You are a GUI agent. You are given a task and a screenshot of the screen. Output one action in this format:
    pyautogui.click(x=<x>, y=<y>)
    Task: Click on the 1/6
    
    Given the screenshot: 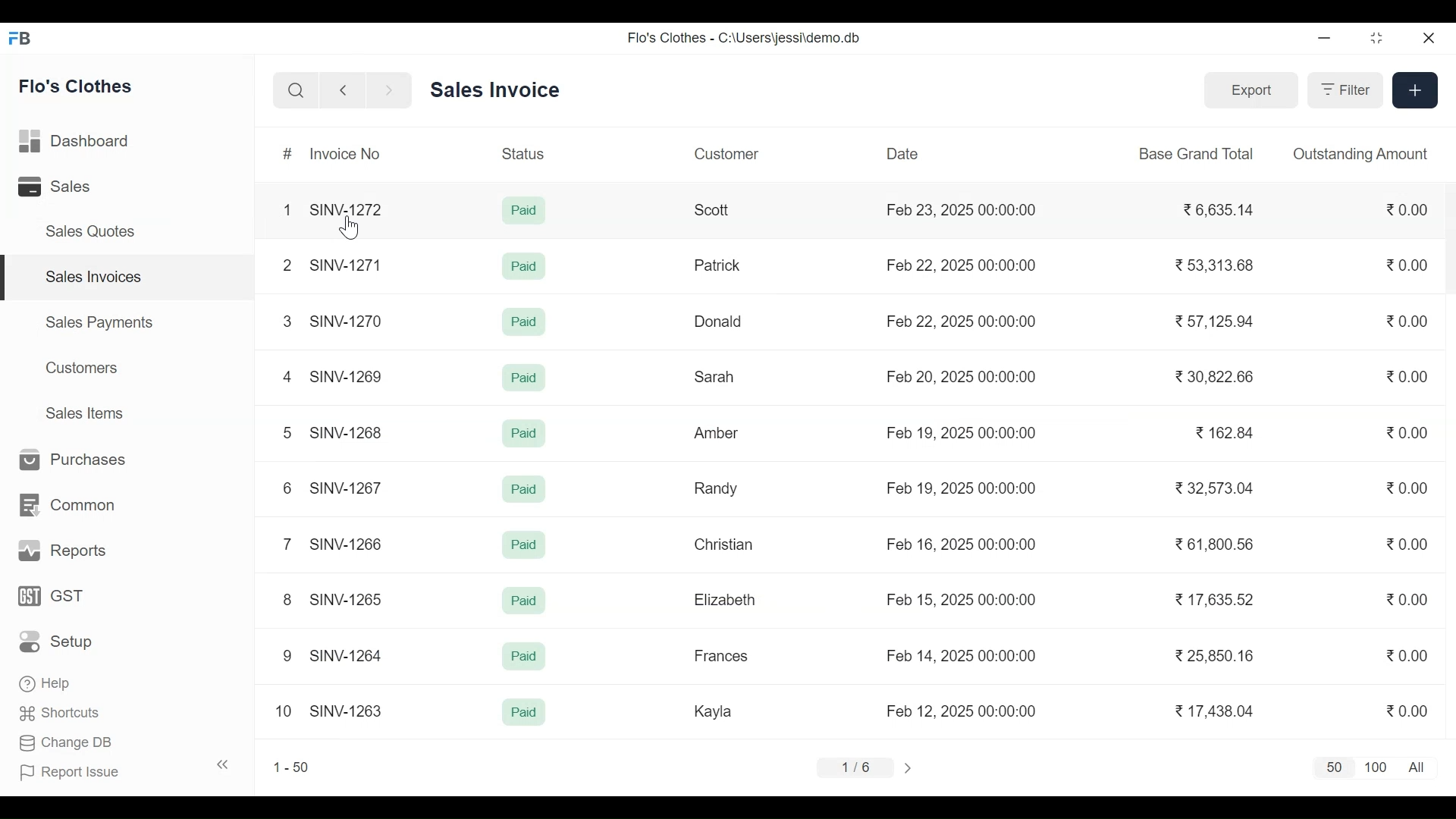 What is the action you would take?
    pyautogui.click(x=855, y=767)
    